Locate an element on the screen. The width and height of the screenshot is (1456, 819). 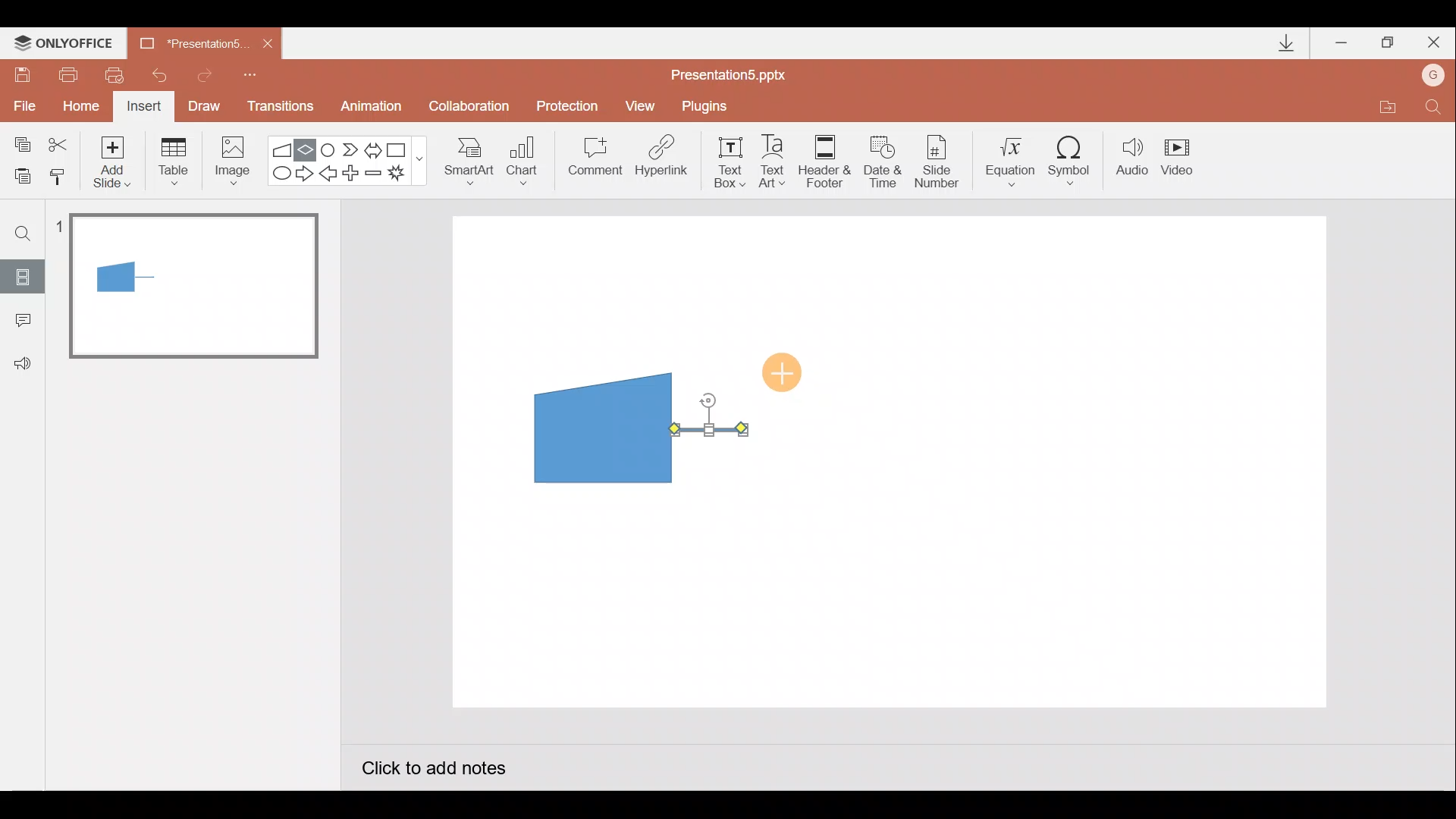
Undo is located at coordinates (162, 75).